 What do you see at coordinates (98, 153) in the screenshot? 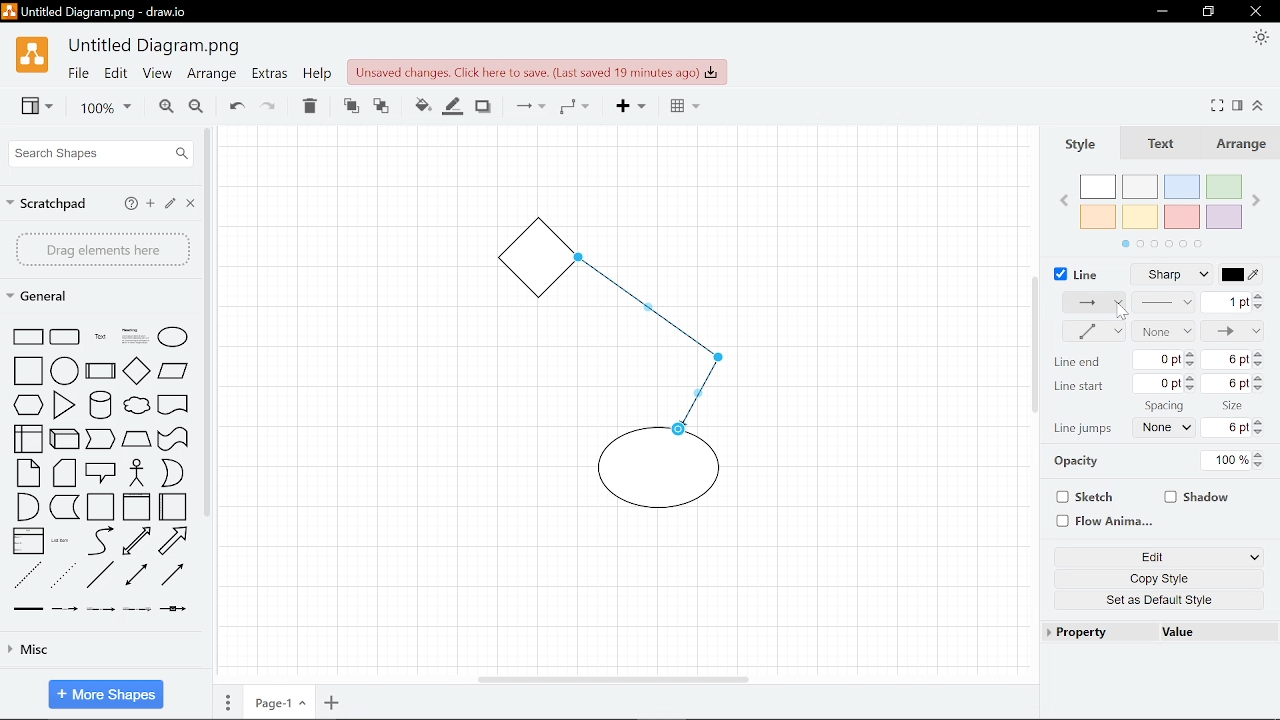
I see `Search shapes` at bounding box center [98, 153].